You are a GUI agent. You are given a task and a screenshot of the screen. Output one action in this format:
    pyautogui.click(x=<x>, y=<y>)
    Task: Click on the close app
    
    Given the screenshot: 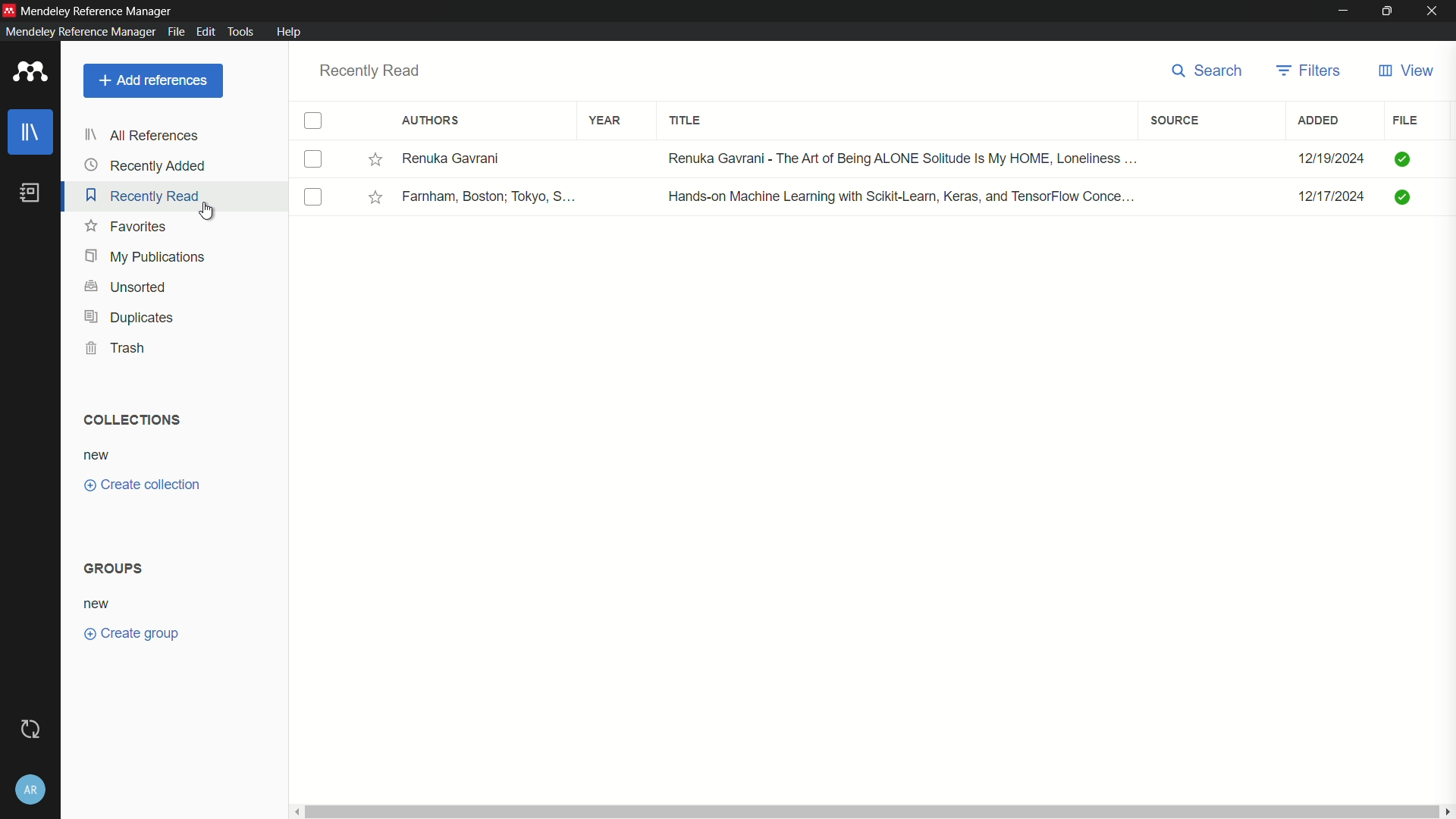 What is the action you would take?
    pyautogui.click(x=1432, y=10)
    